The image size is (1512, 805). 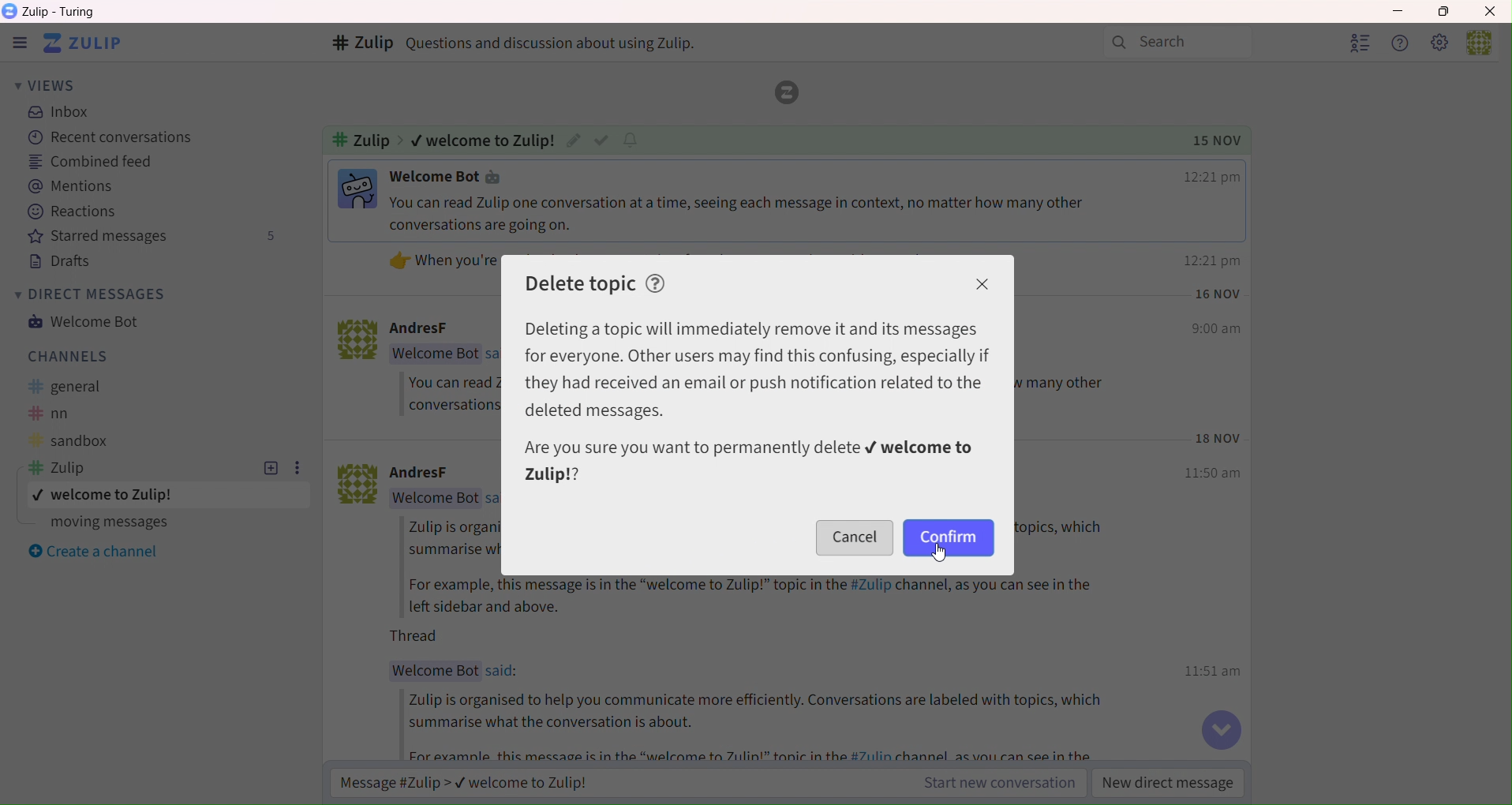 What do you see at coordinates (749, 461) in the screenshot?
I see `Text` at bounding box center [749, 461].